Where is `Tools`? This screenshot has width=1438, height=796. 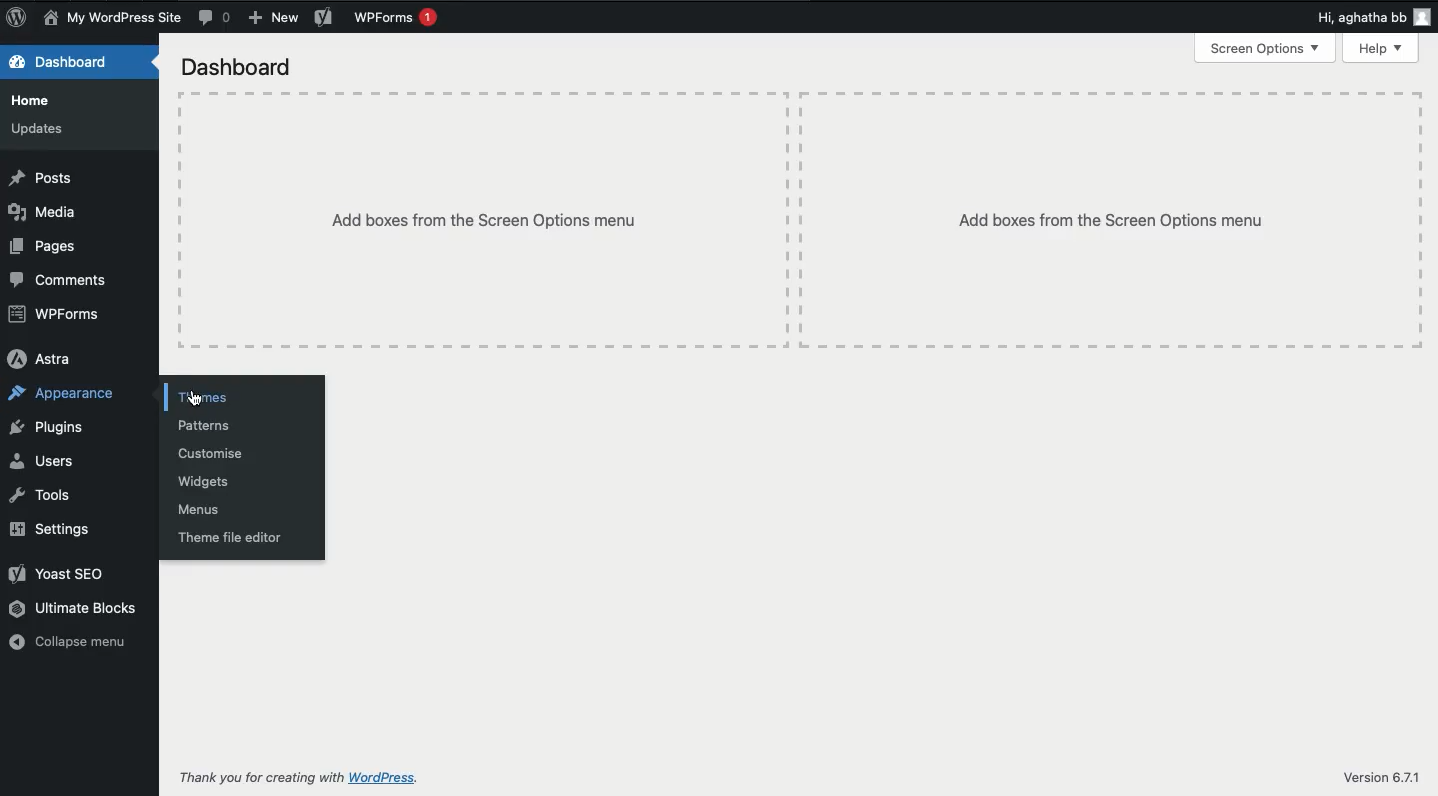 Tools is located at coordinates (45, 495).